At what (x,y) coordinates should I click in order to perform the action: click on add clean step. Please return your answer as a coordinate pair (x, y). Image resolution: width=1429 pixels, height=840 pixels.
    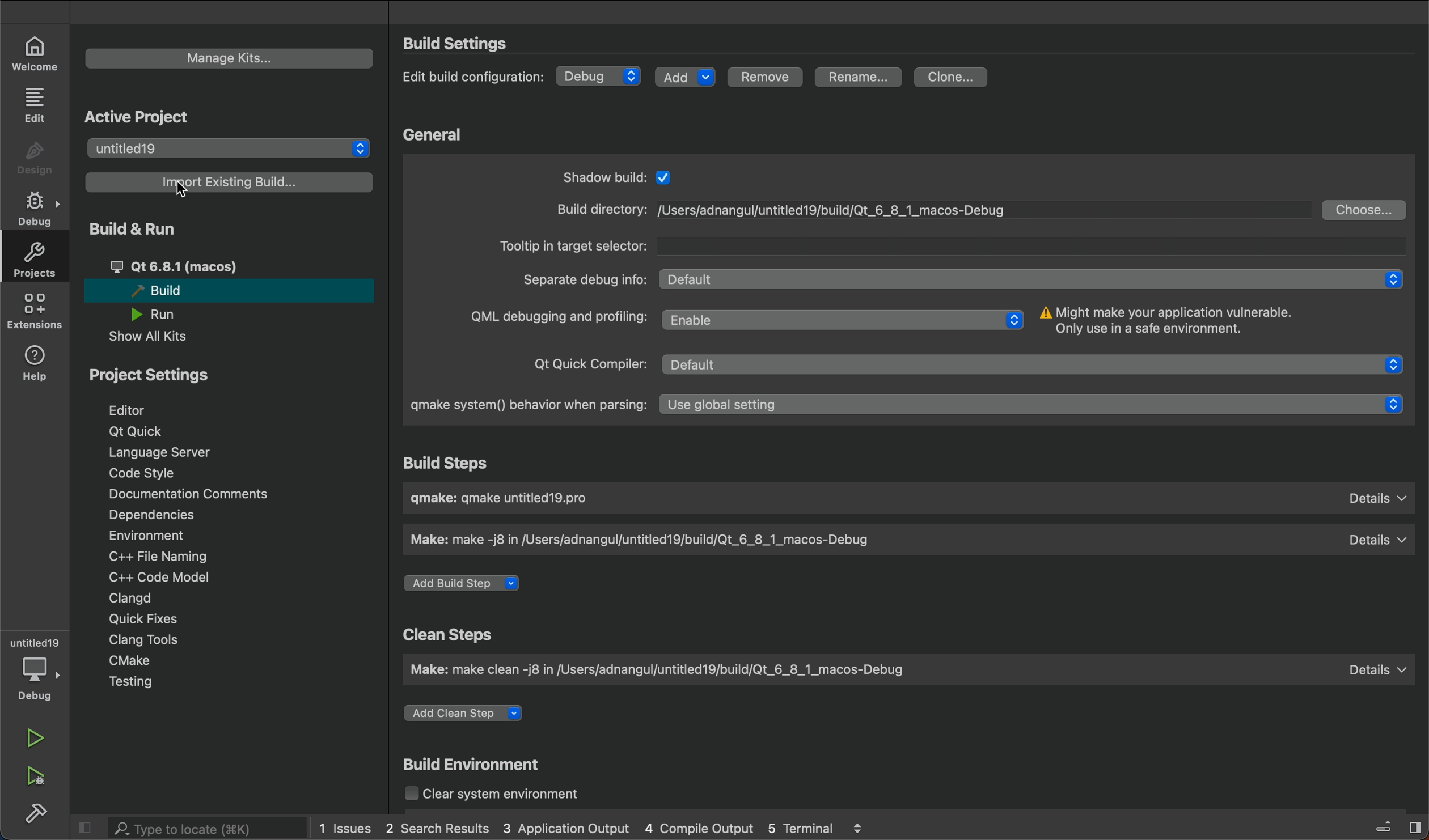
    Looking at the image, I should click on (472, 716).